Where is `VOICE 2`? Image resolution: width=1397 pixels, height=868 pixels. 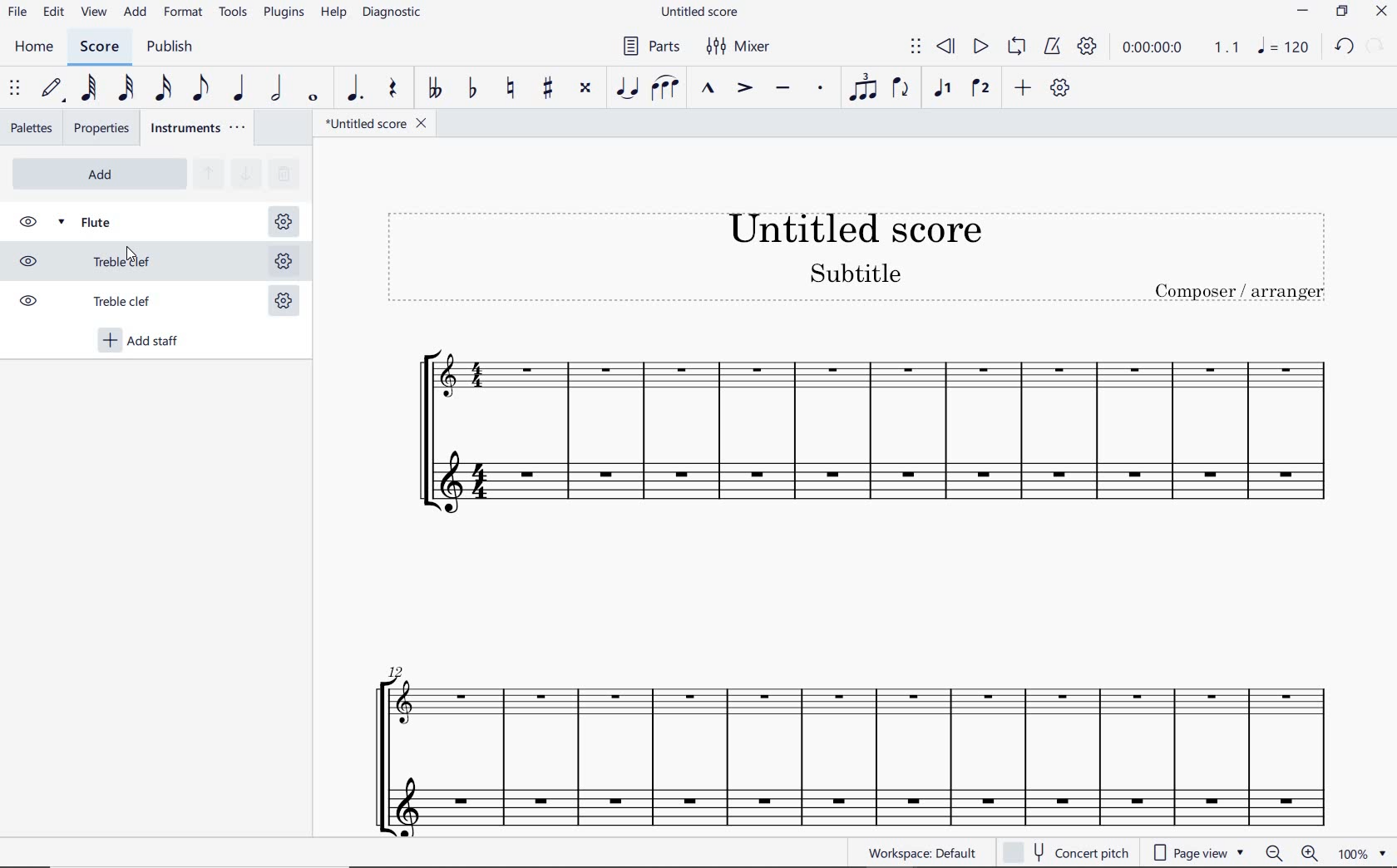 VOICE 2 is located at coordinates (980, 89).